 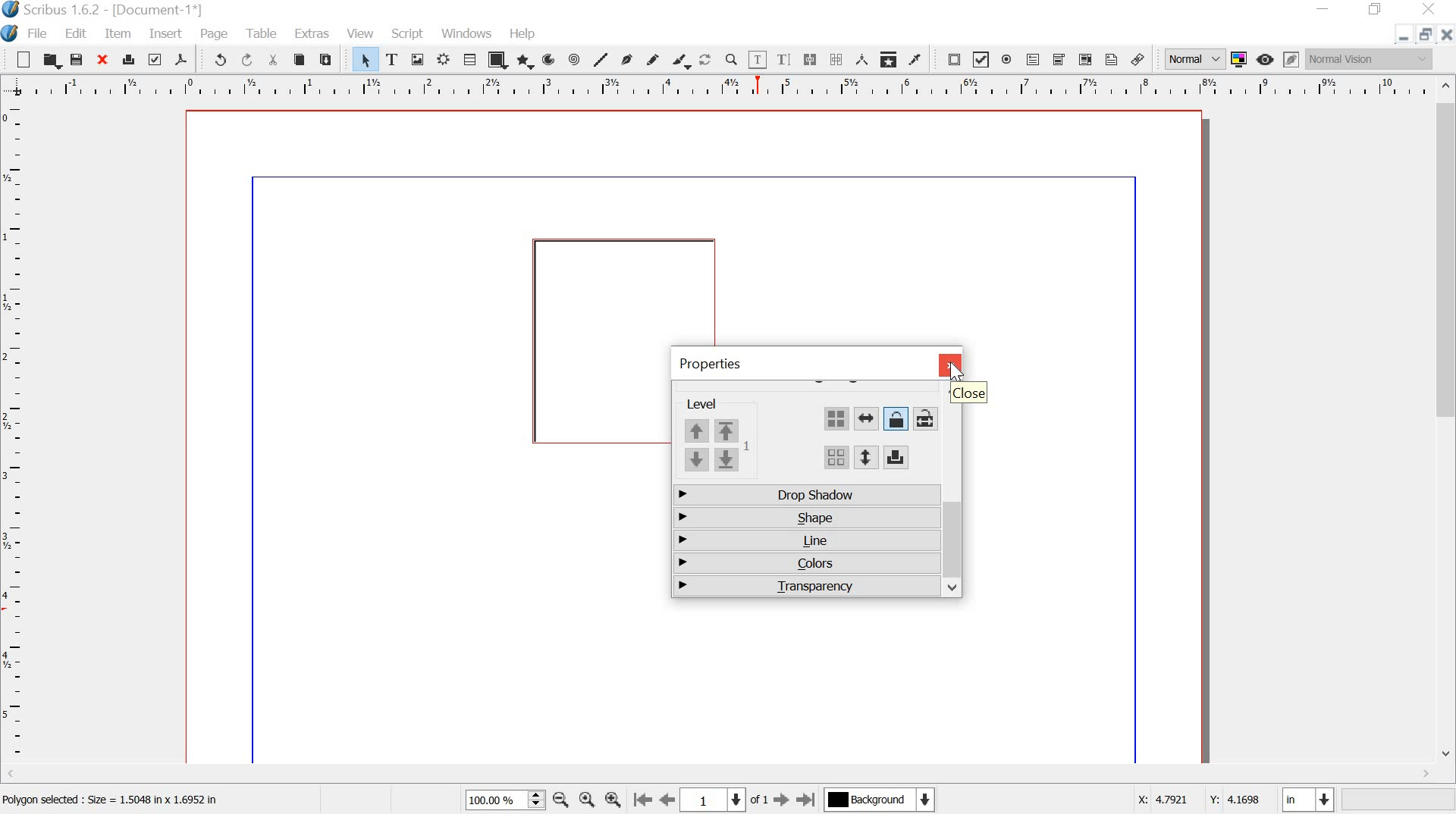 I want to click on shape, so click(x=804, y=516).